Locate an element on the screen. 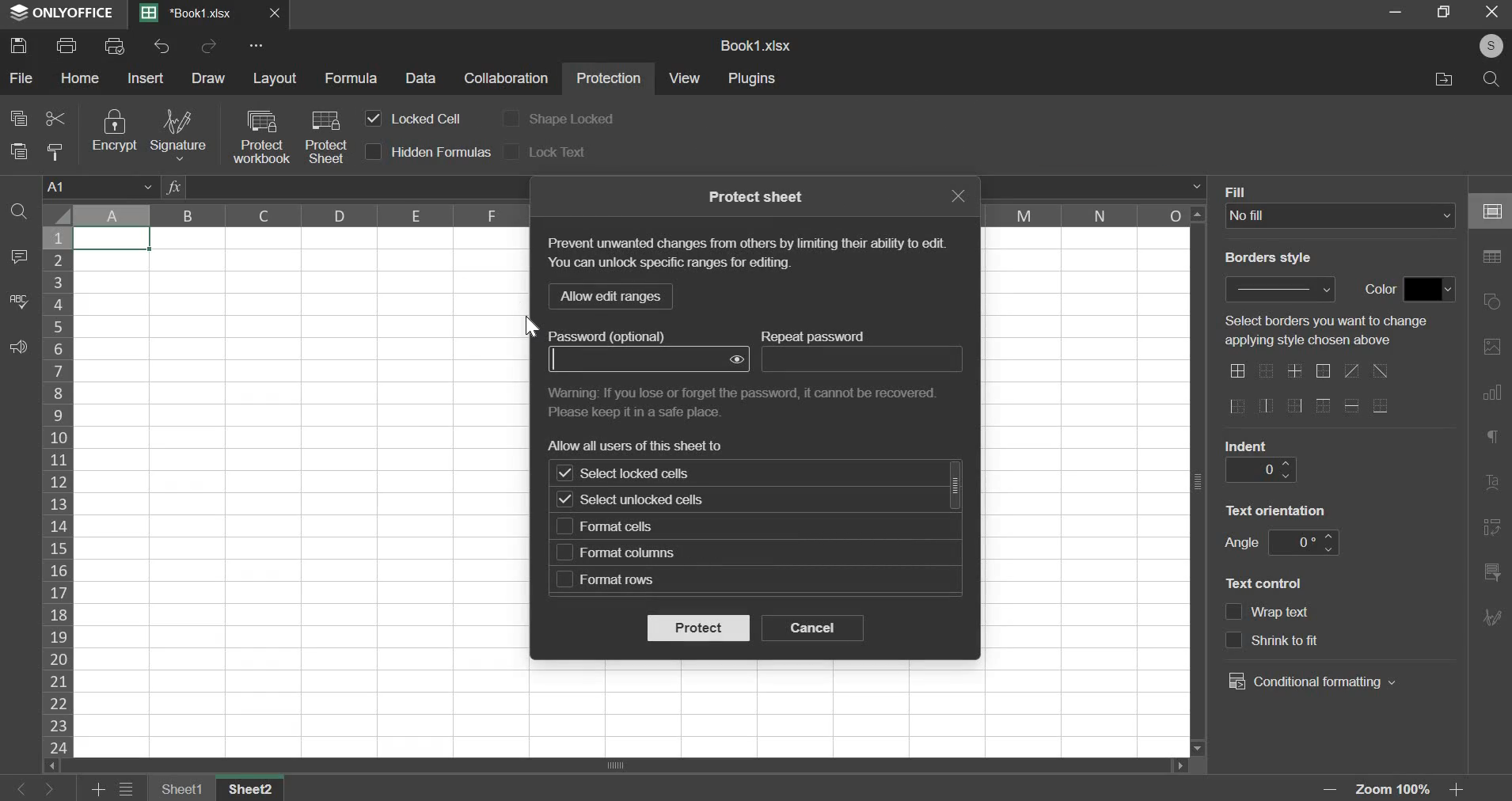 This screenshot has height=801, width=1512. more is located at coordinates (259, 45).